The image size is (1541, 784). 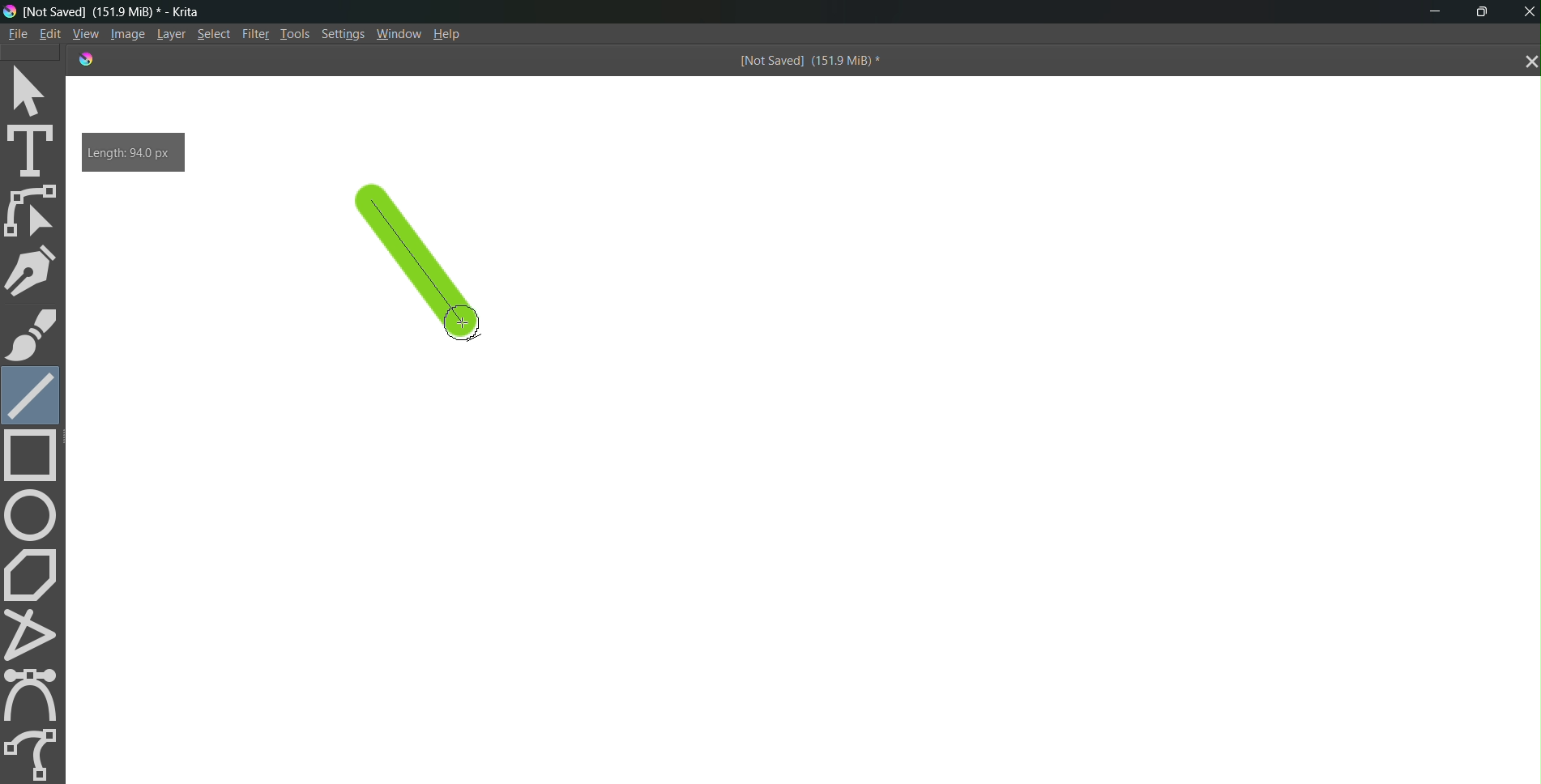 I want to click on Image, so click(x=125, y=35).